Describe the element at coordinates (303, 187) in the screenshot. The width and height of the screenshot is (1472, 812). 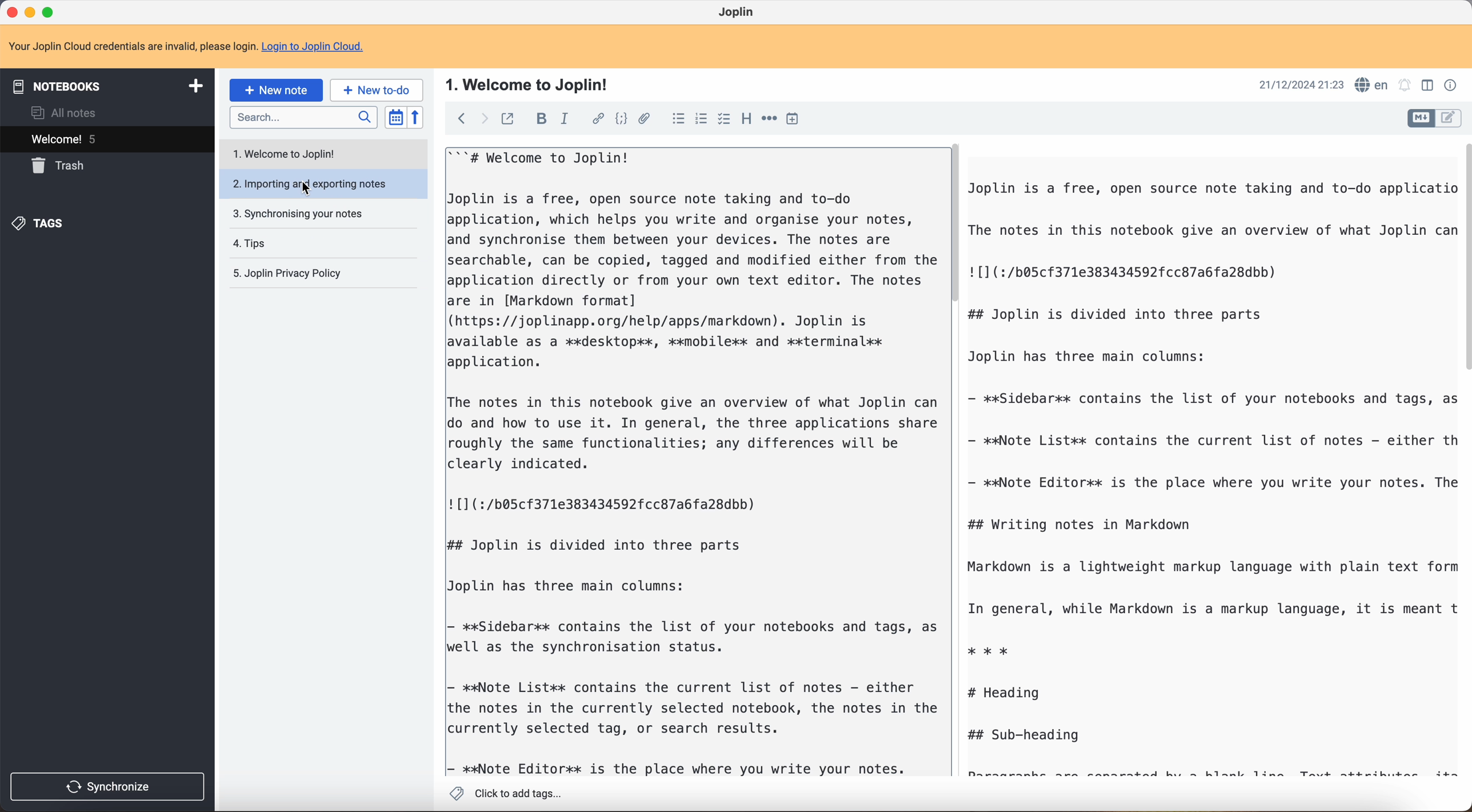
I see `cursor` at that location.